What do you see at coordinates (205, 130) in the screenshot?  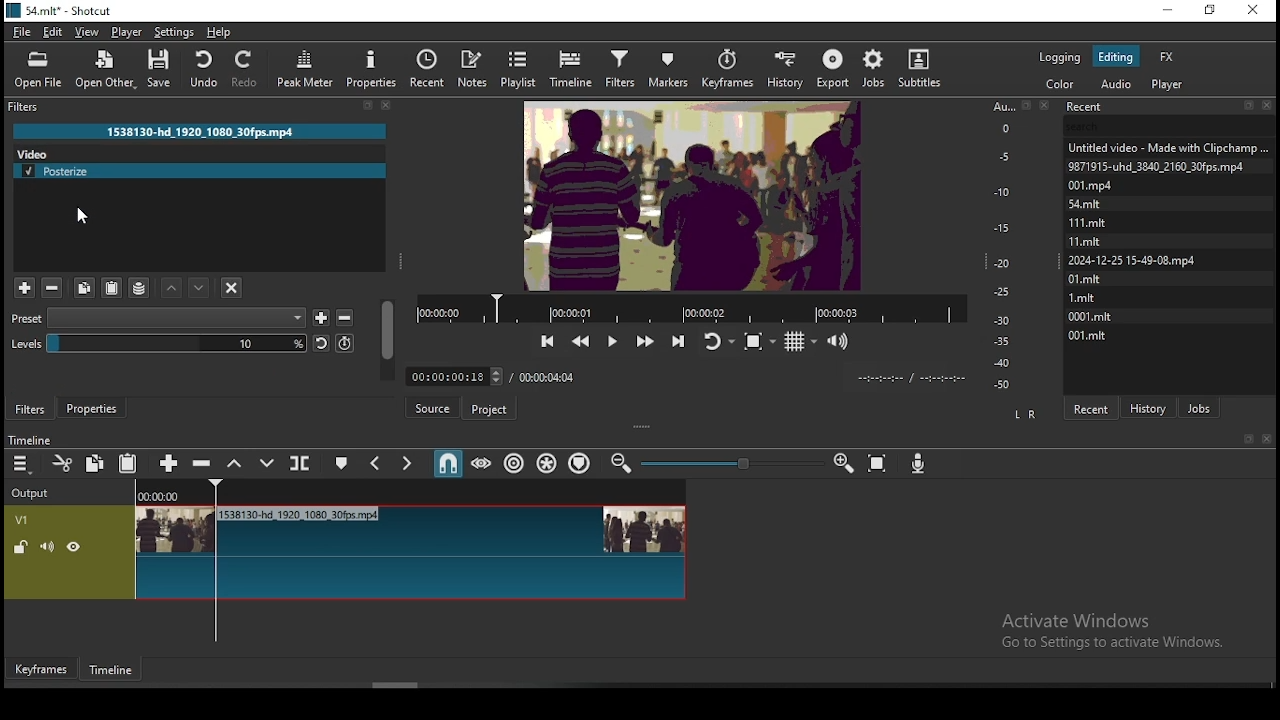 I see `1538130-hd_1920_1080_30fps.mp4` at bounding box center [205, 130].